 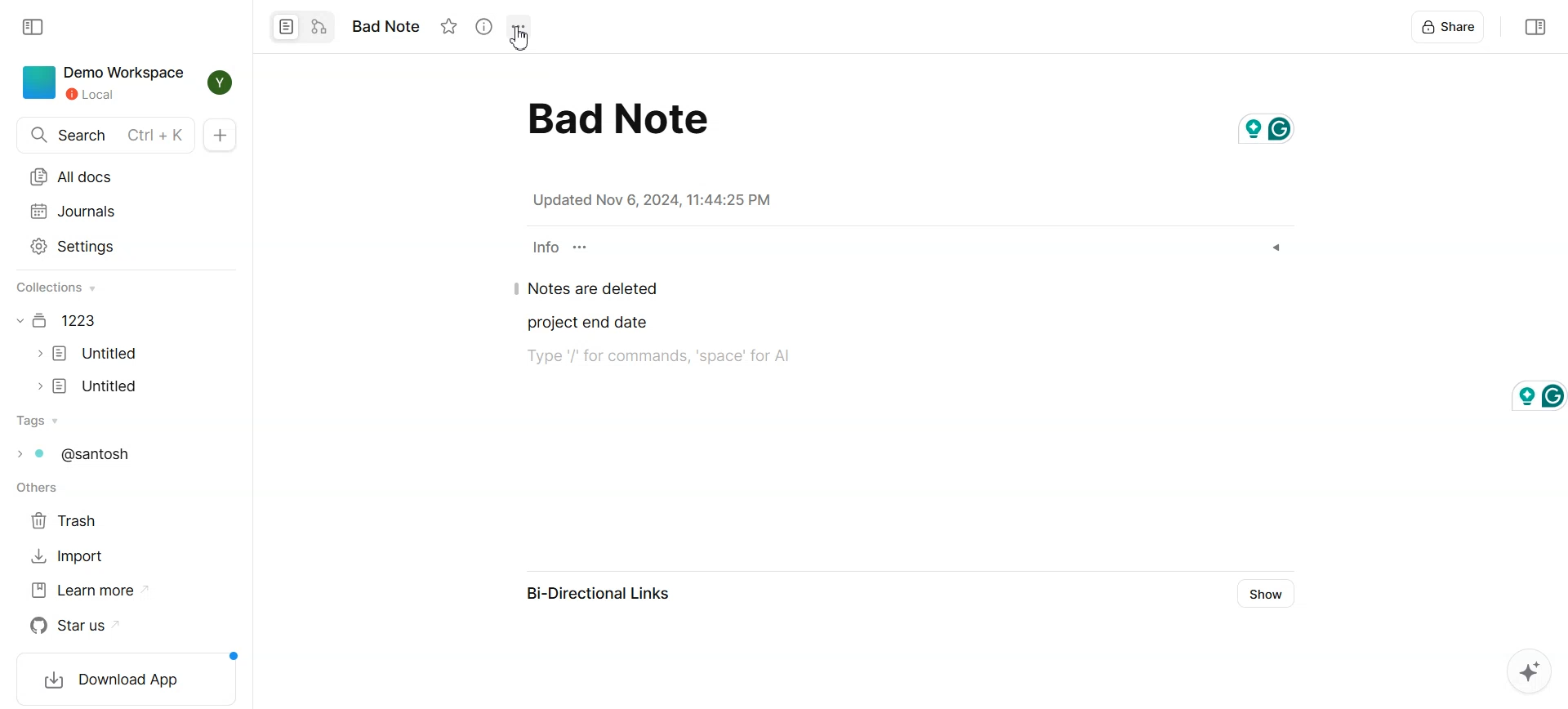 What do you see at coordinates (586, 323) in the screenshot?
I see `project end date` at bounding box center [586, 323].